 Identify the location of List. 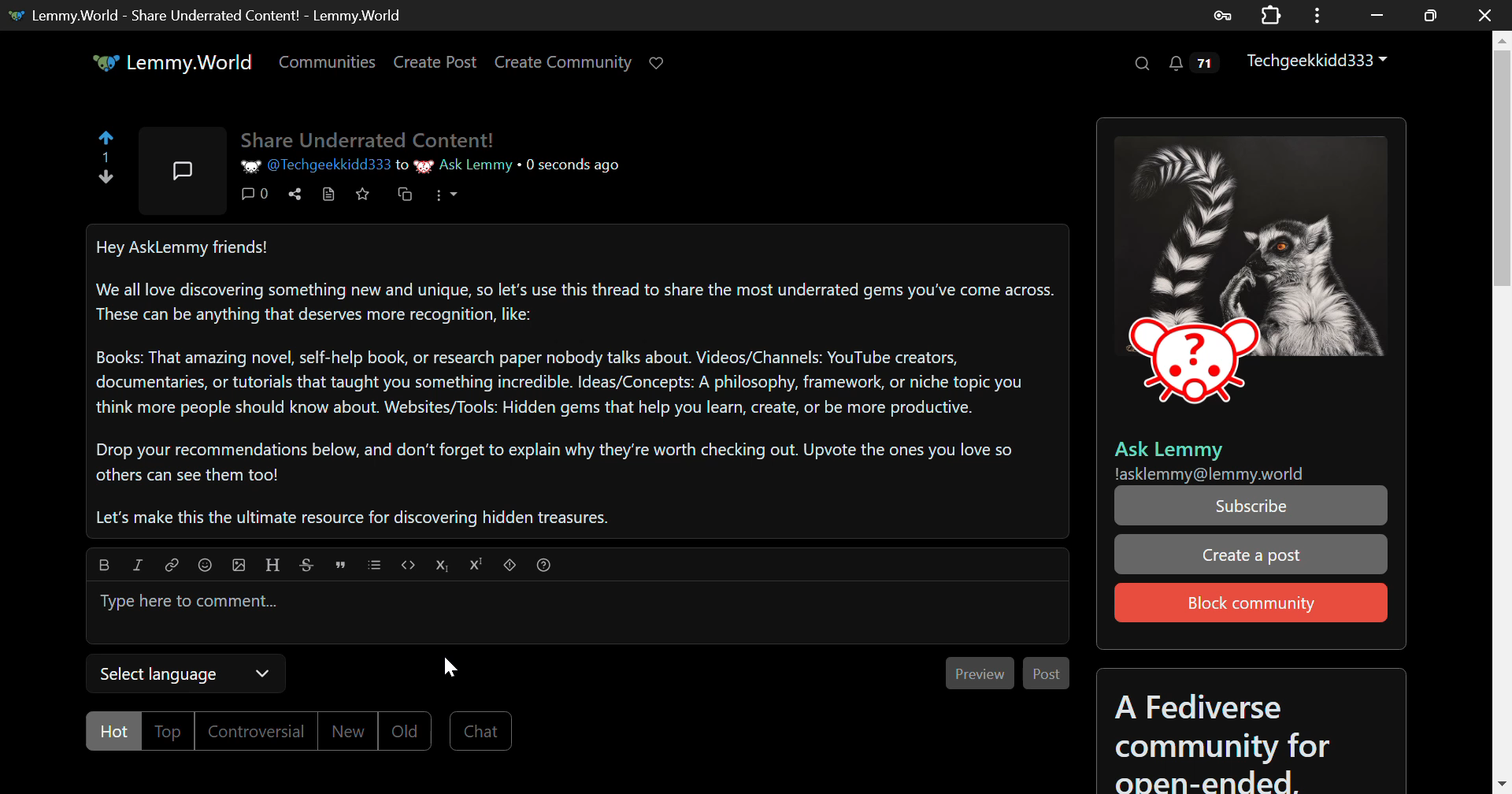
(374, 566).